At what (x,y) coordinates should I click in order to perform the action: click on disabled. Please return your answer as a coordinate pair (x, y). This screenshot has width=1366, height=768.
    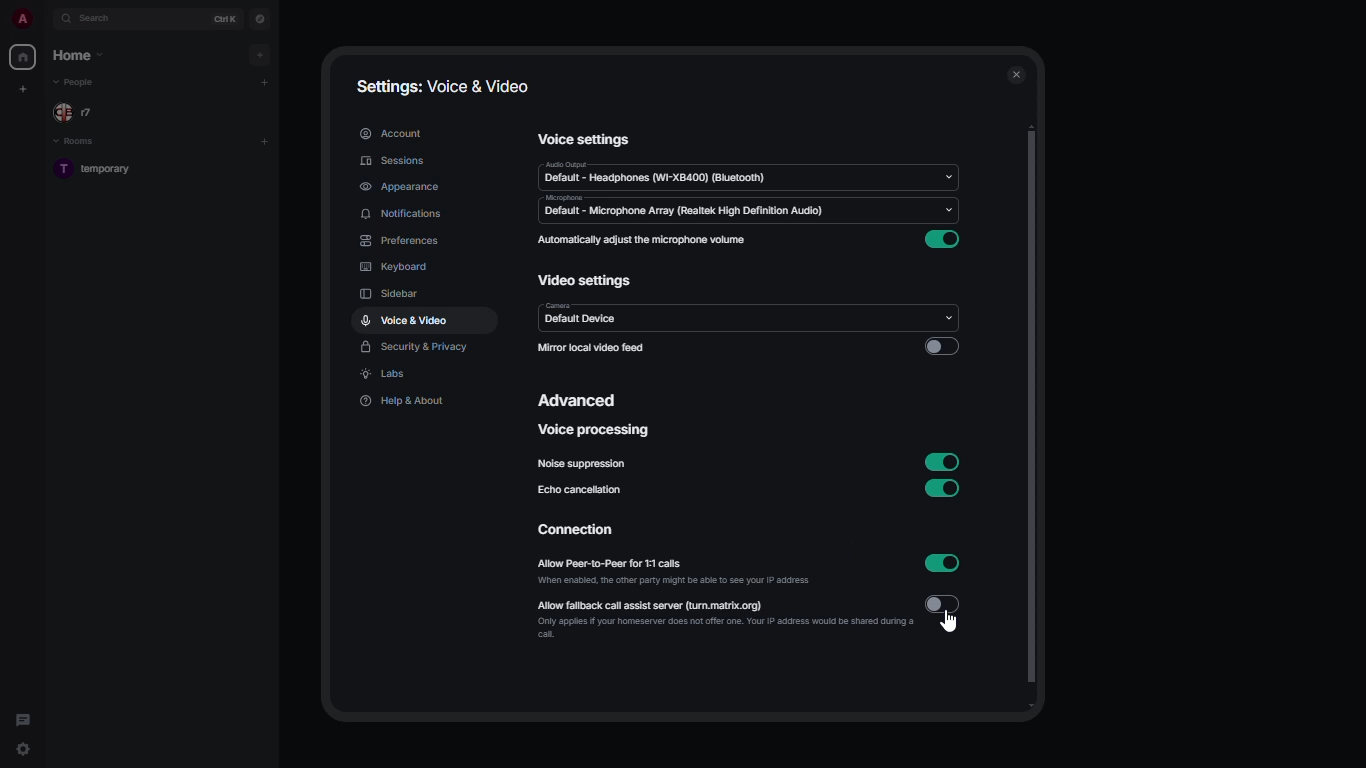
    Looking at the image, I should click on (944, 347).